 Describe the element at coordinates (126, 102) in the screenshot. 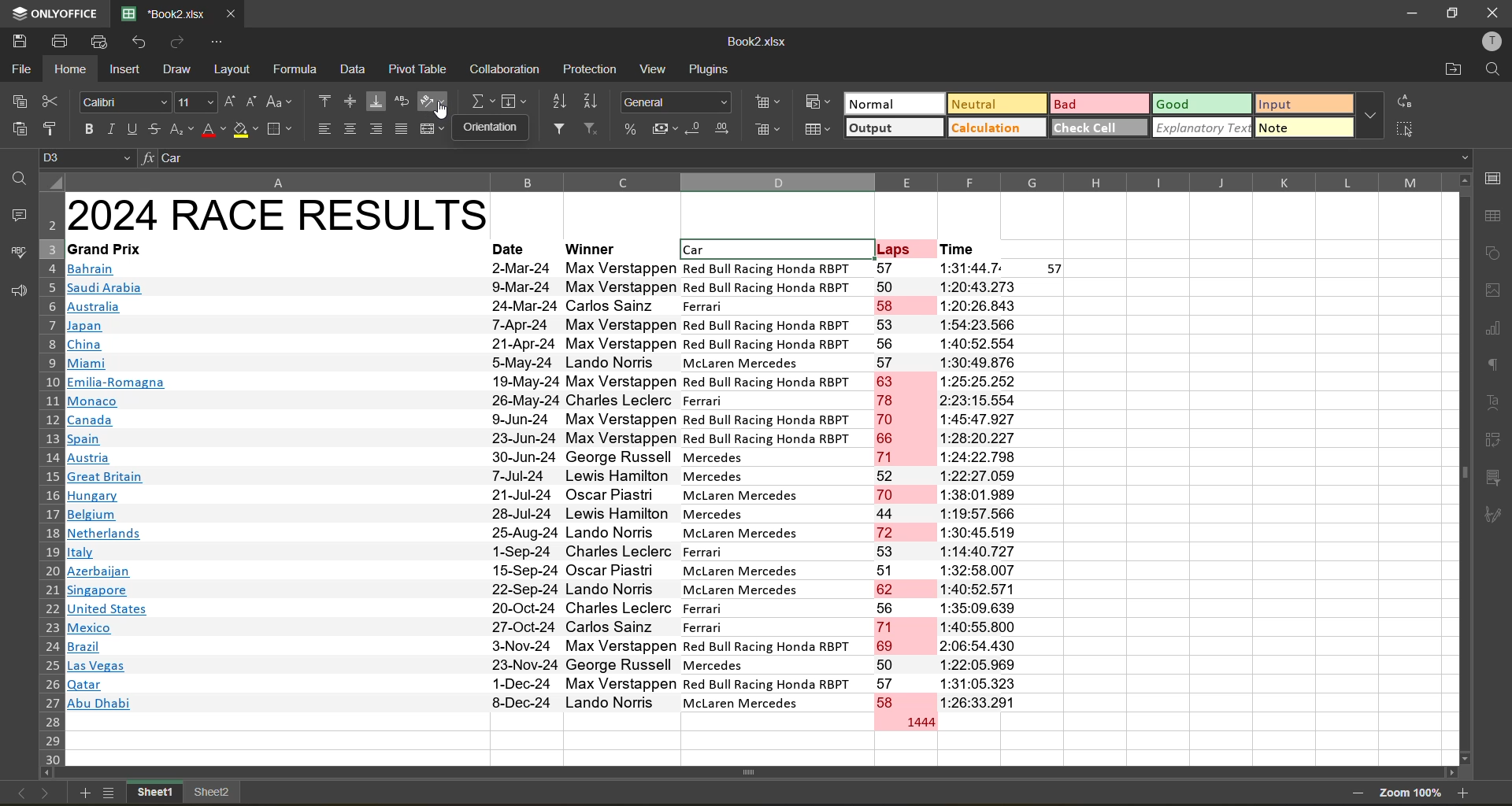

I see `font style` at that location.